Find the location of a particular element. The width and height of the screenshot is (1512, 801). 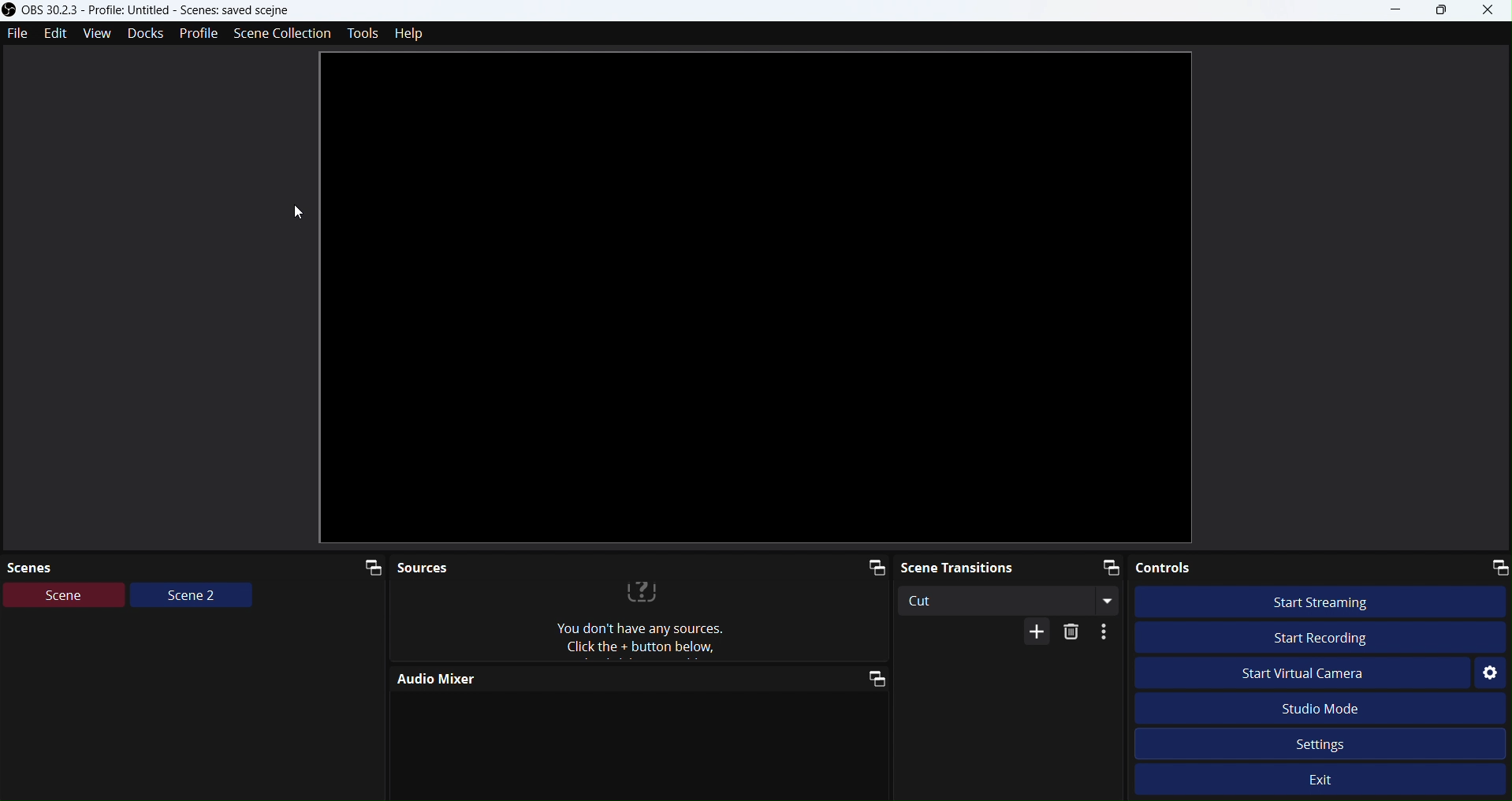

text is located at coordinates (646, 624).